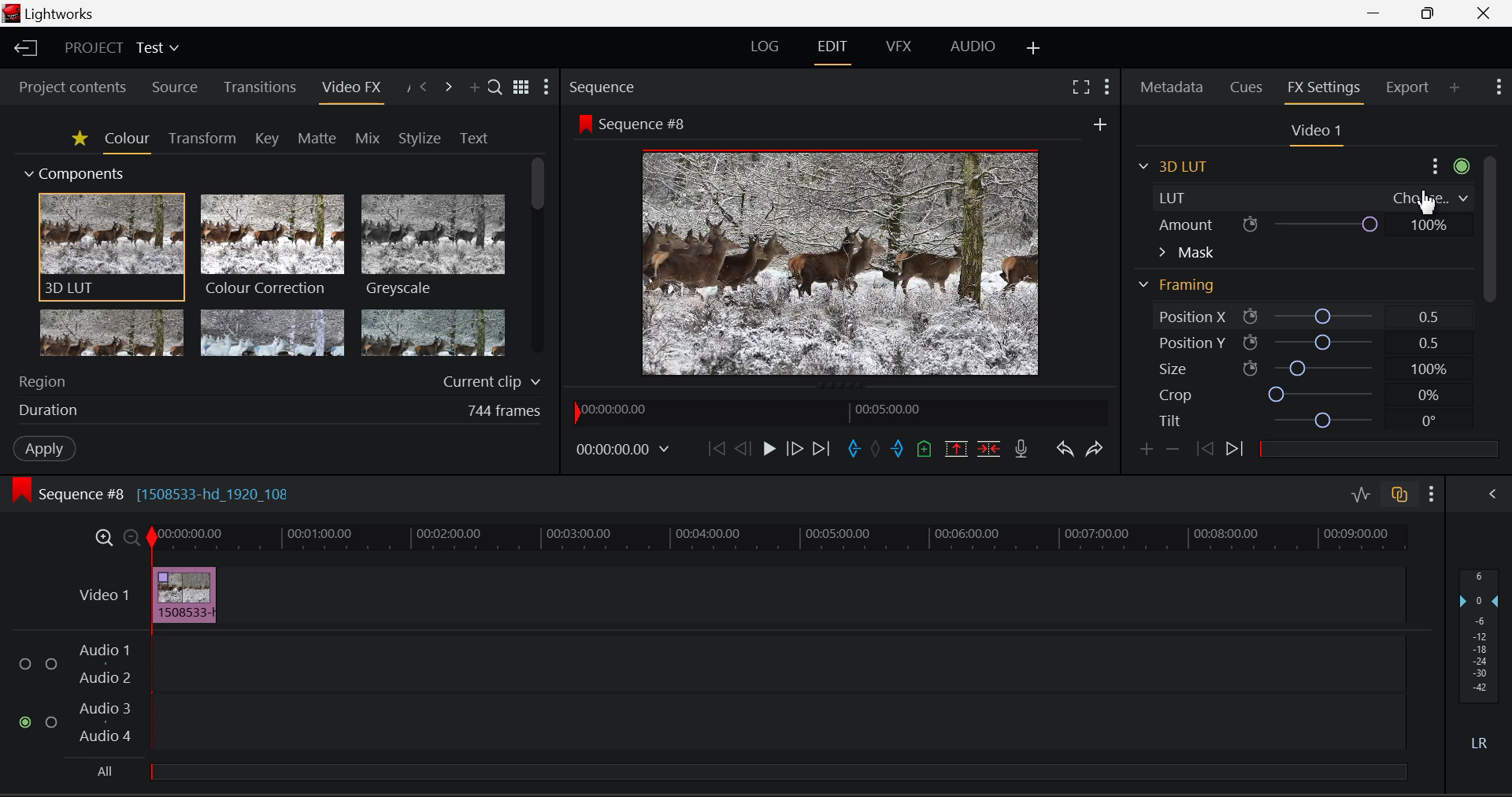  What do you see at coordinates (780, 539) in the screenshot?
I see `Project Timeline` at bounding box center [780, 539].